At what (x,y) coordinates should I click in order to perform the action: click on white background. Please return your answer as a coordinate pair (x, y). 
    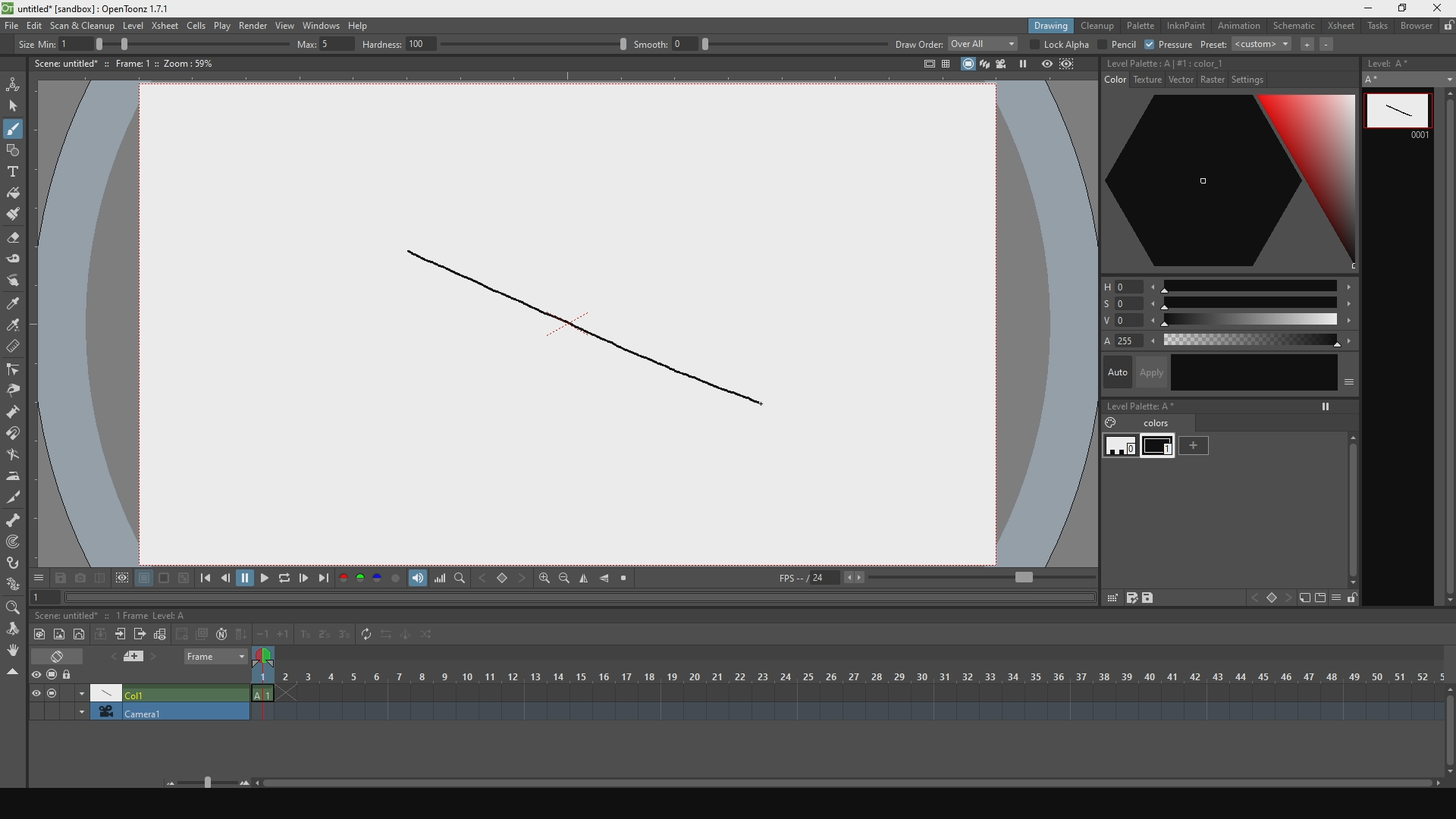
    Looking at the image, I should click on (144, 580).